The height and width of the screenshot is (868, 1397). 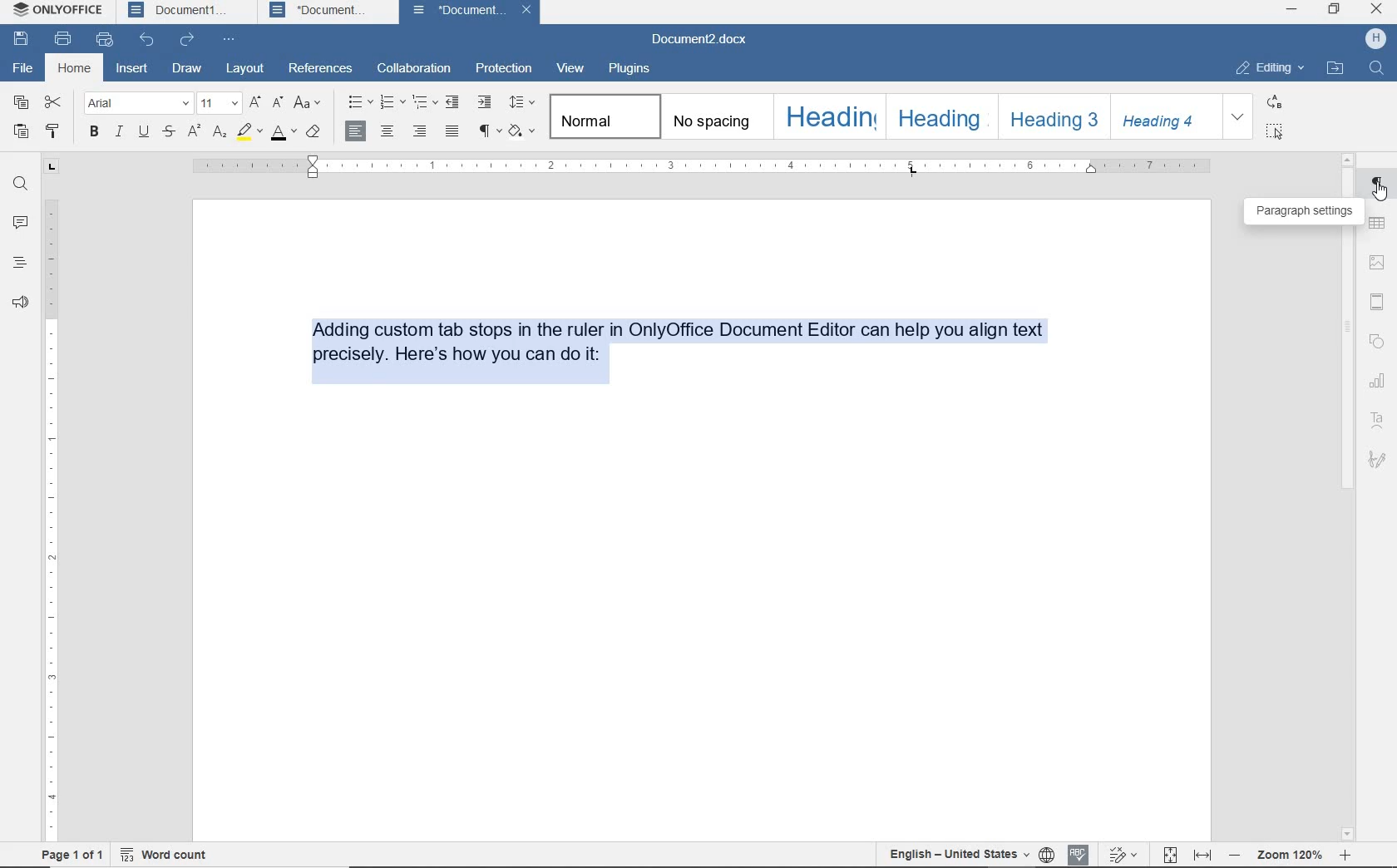 I want to click on paste, so click(x=22, y=132).